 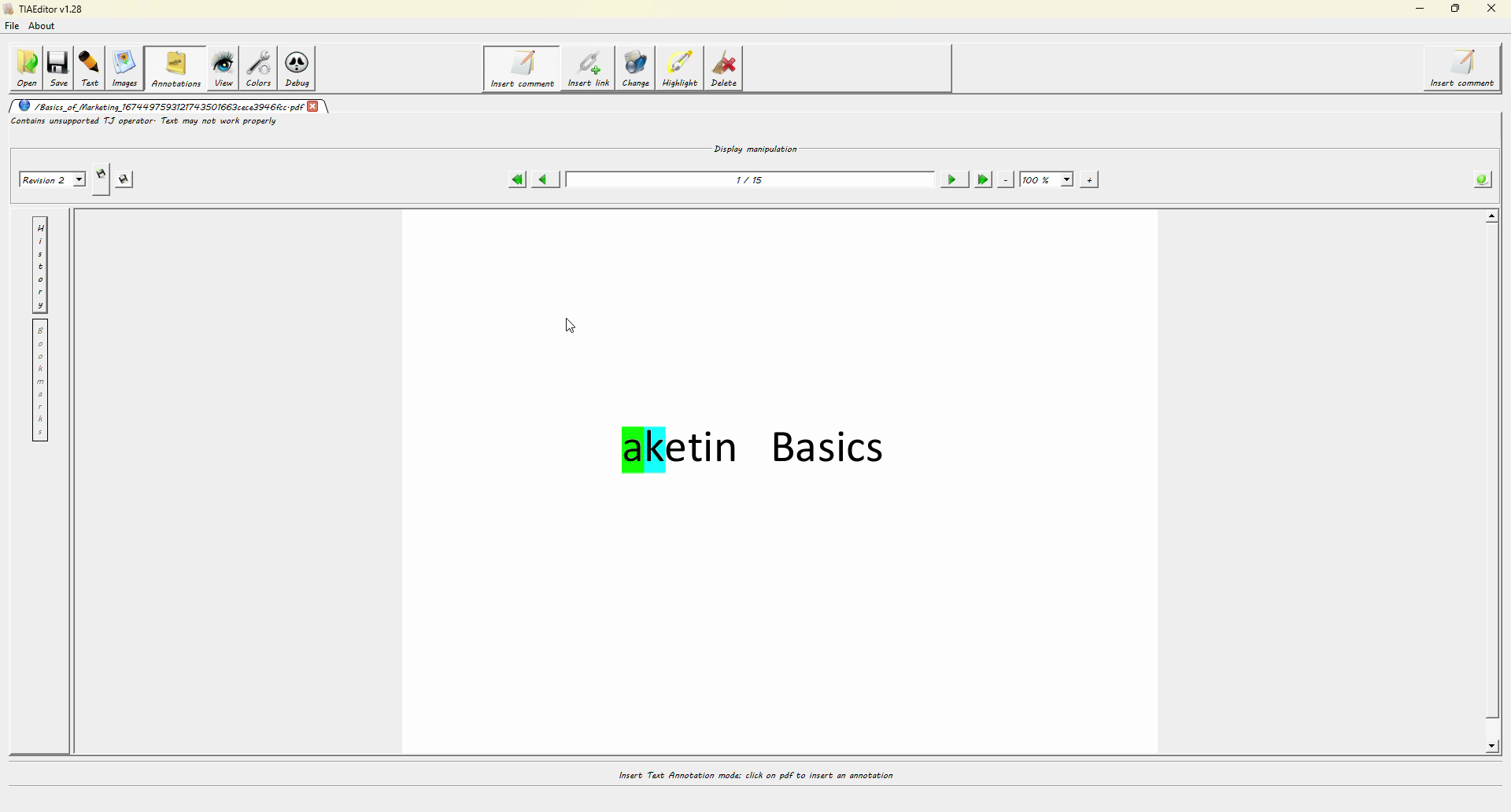 What do you see at coordinates (158, 105) in the screenshot?
I see `/Basics of Marketing 167999759312T793501663cece3996c.pdf` at bounding box center [158, 105].